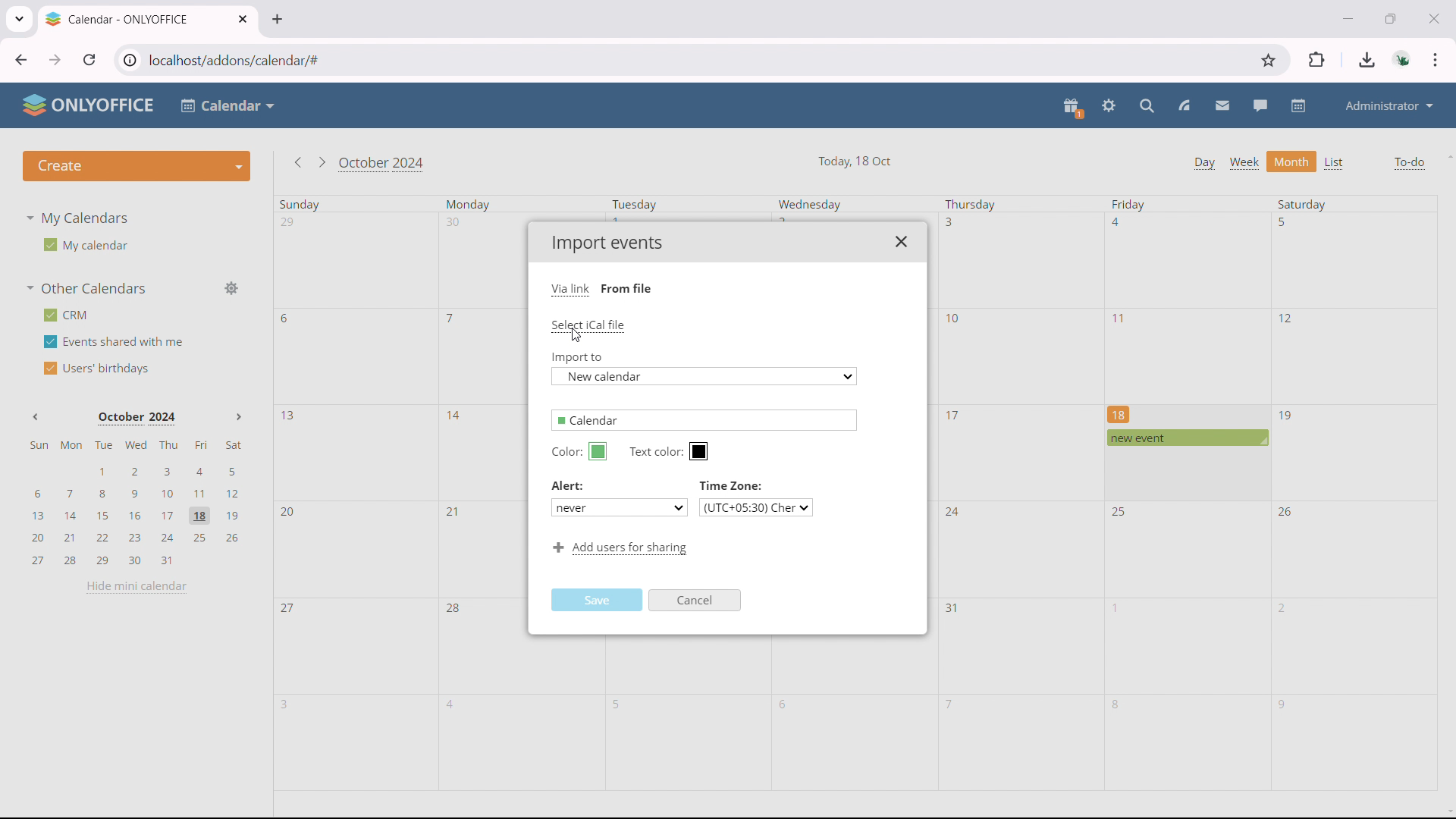 The image size is (1456, 819). Describe the element at coordinates (605, 243) in the screenshot. I see `Import events` at that location.